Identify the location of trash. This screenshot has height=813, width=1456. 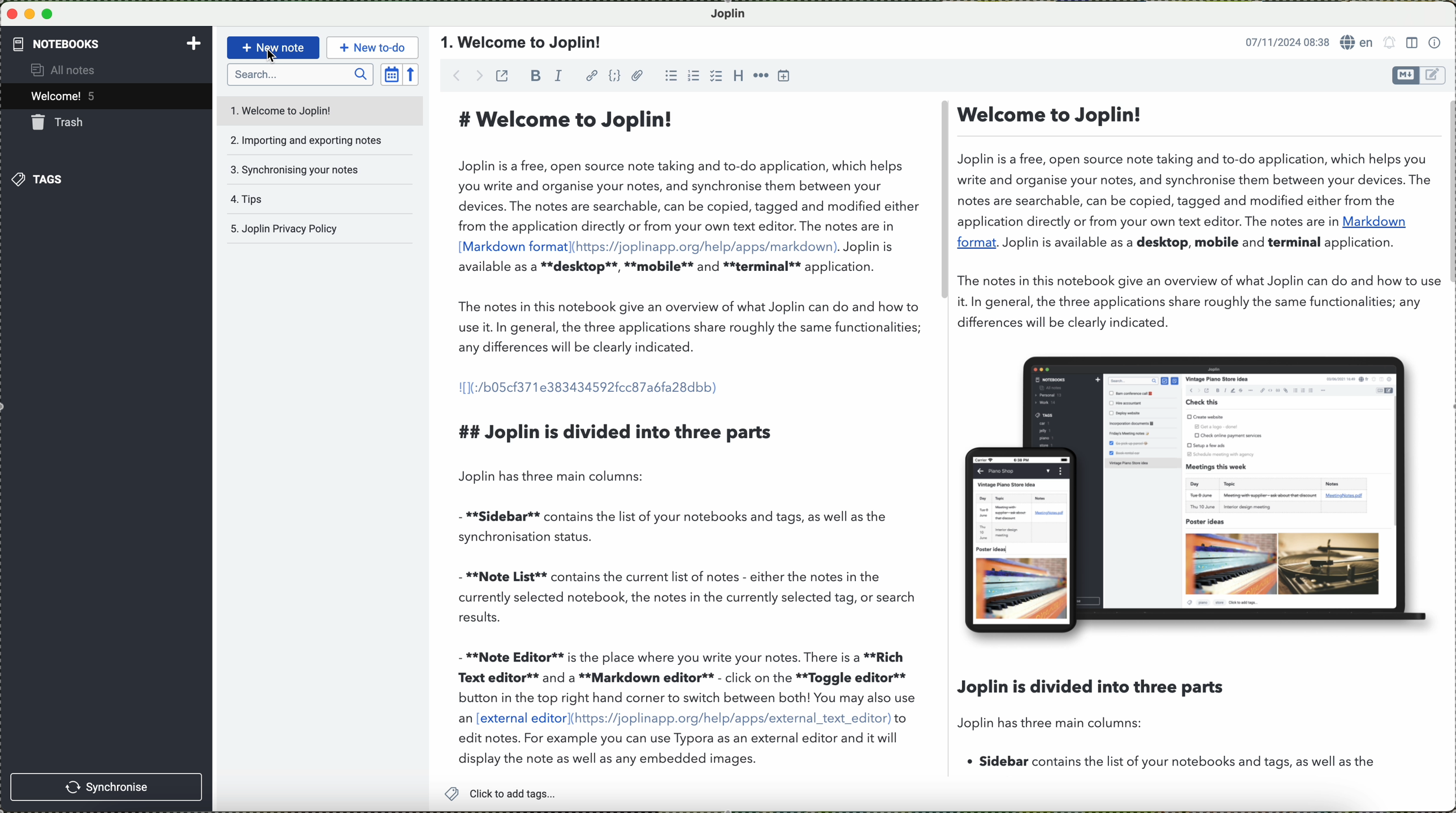
(60, 122).